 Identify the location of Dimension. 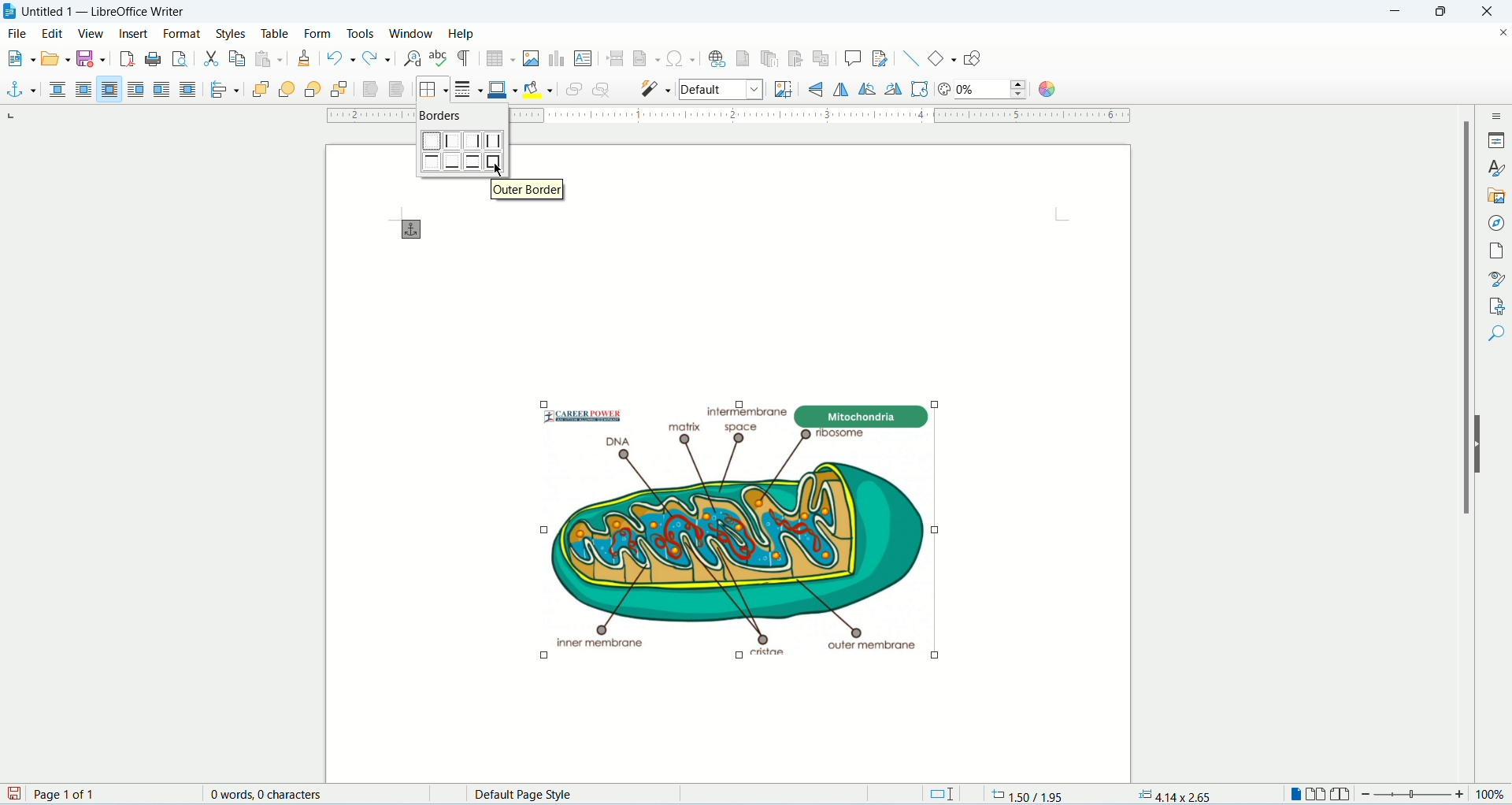
(940, 794).